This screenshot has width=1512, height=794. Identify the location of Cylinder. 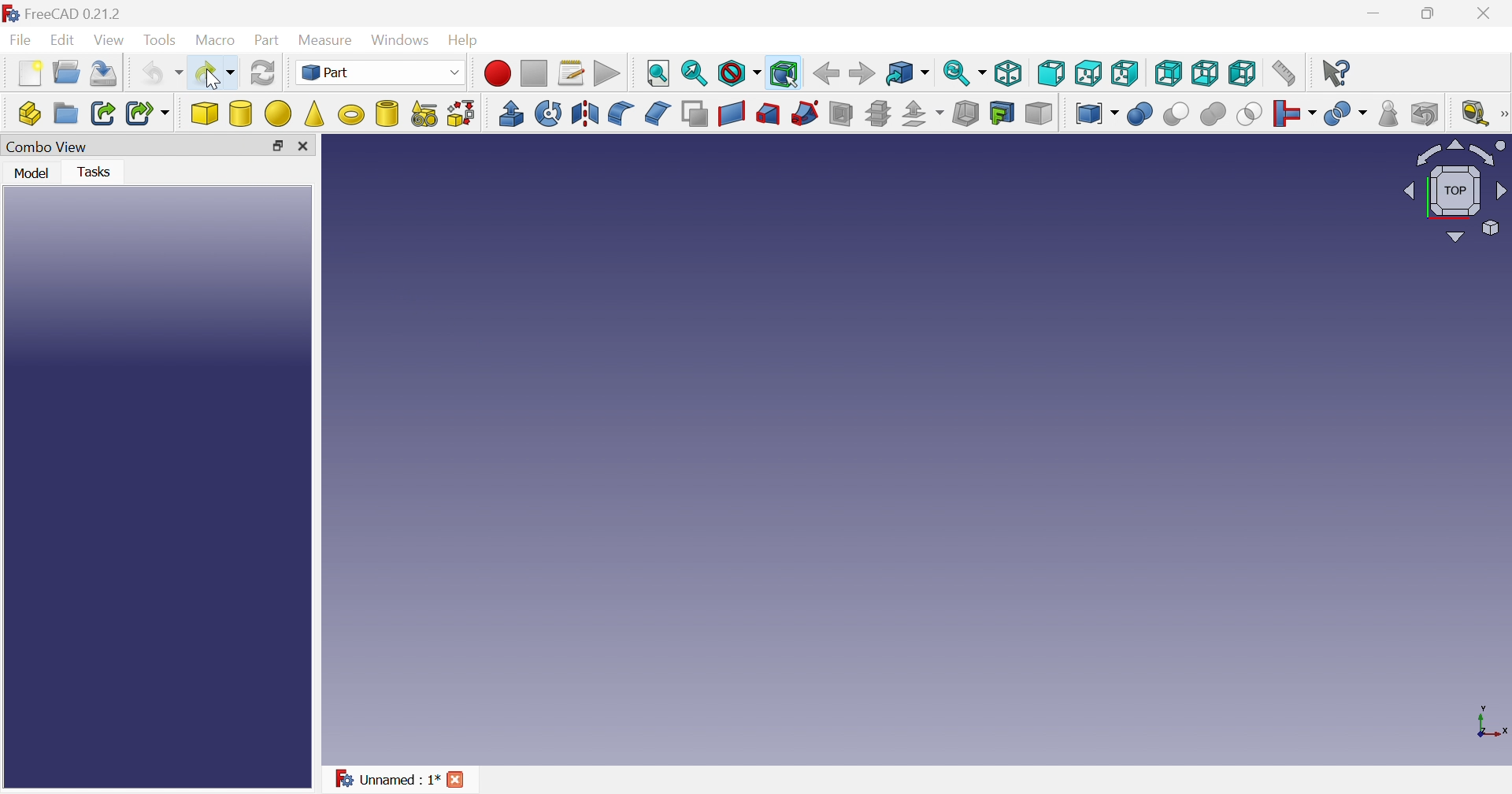
(242, 115).